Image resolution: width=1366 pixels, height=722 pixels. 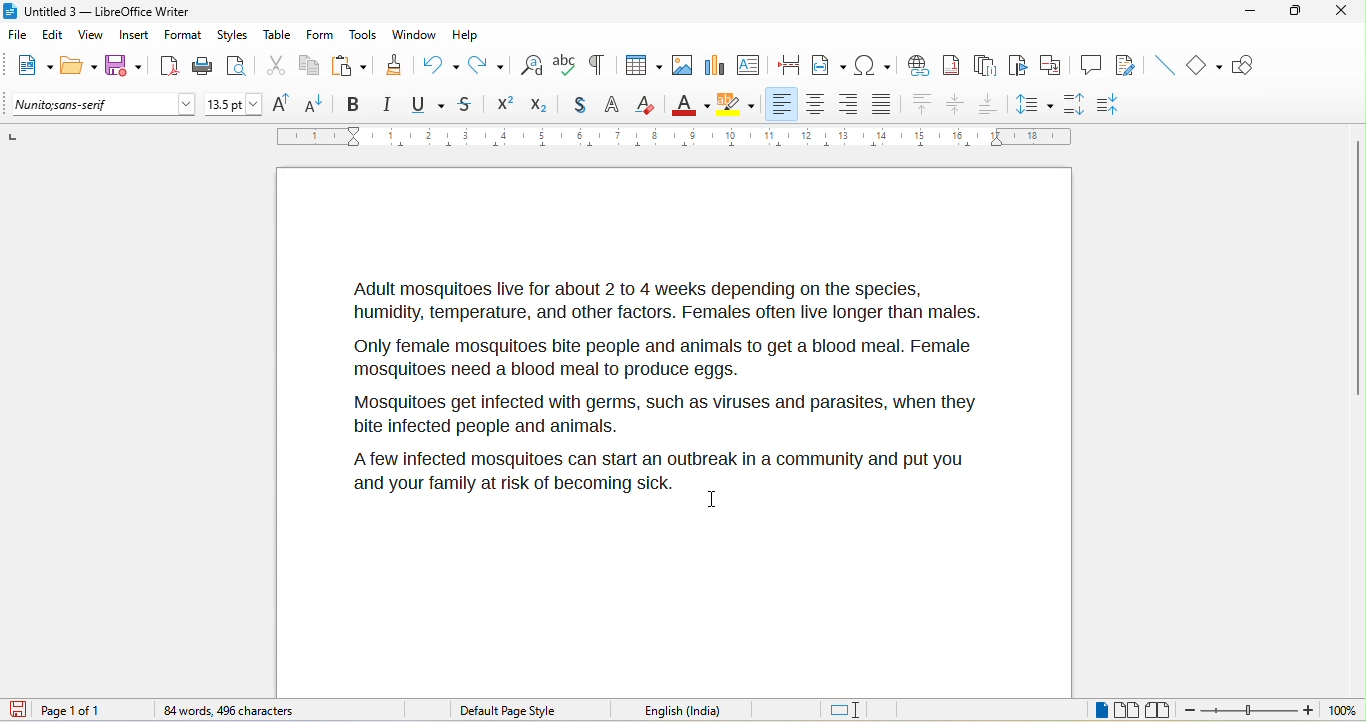 I want to click on hyperlink, so click(x=917, y=63).